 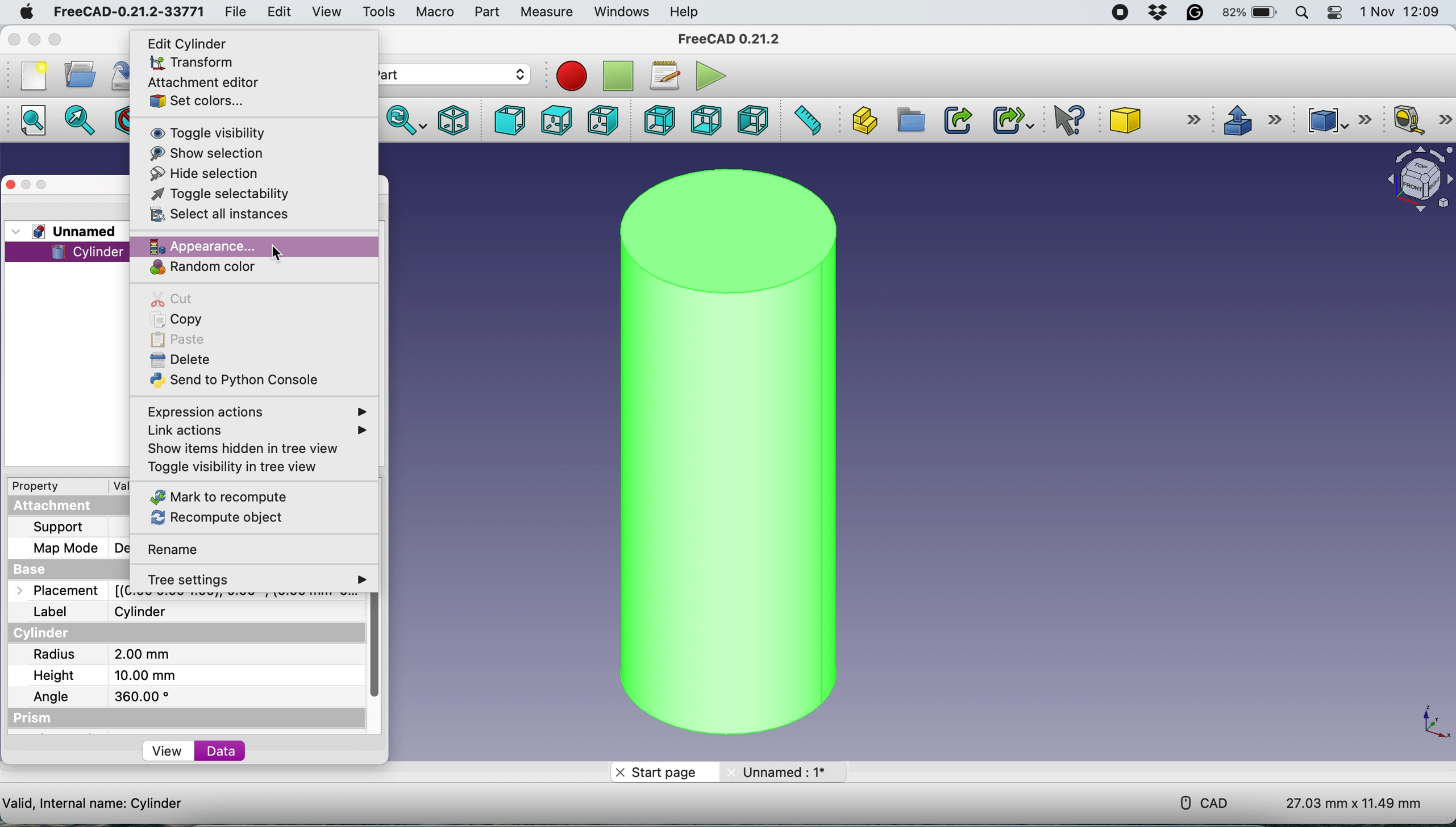 I want to click on view, so click(x=167, y=751).